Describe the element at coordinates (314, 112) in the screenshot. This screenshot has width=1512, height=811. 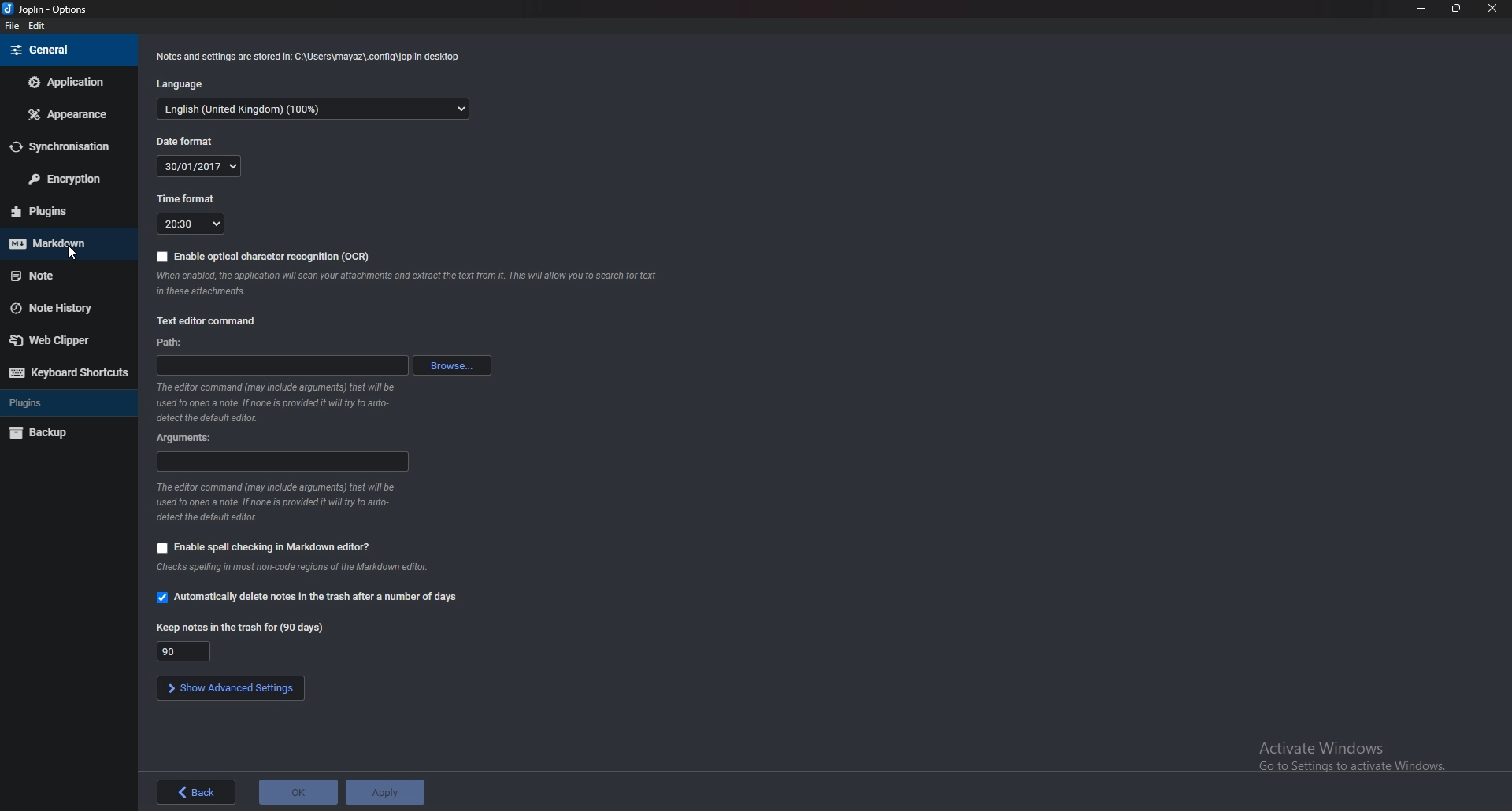
I see `Language` at that location.